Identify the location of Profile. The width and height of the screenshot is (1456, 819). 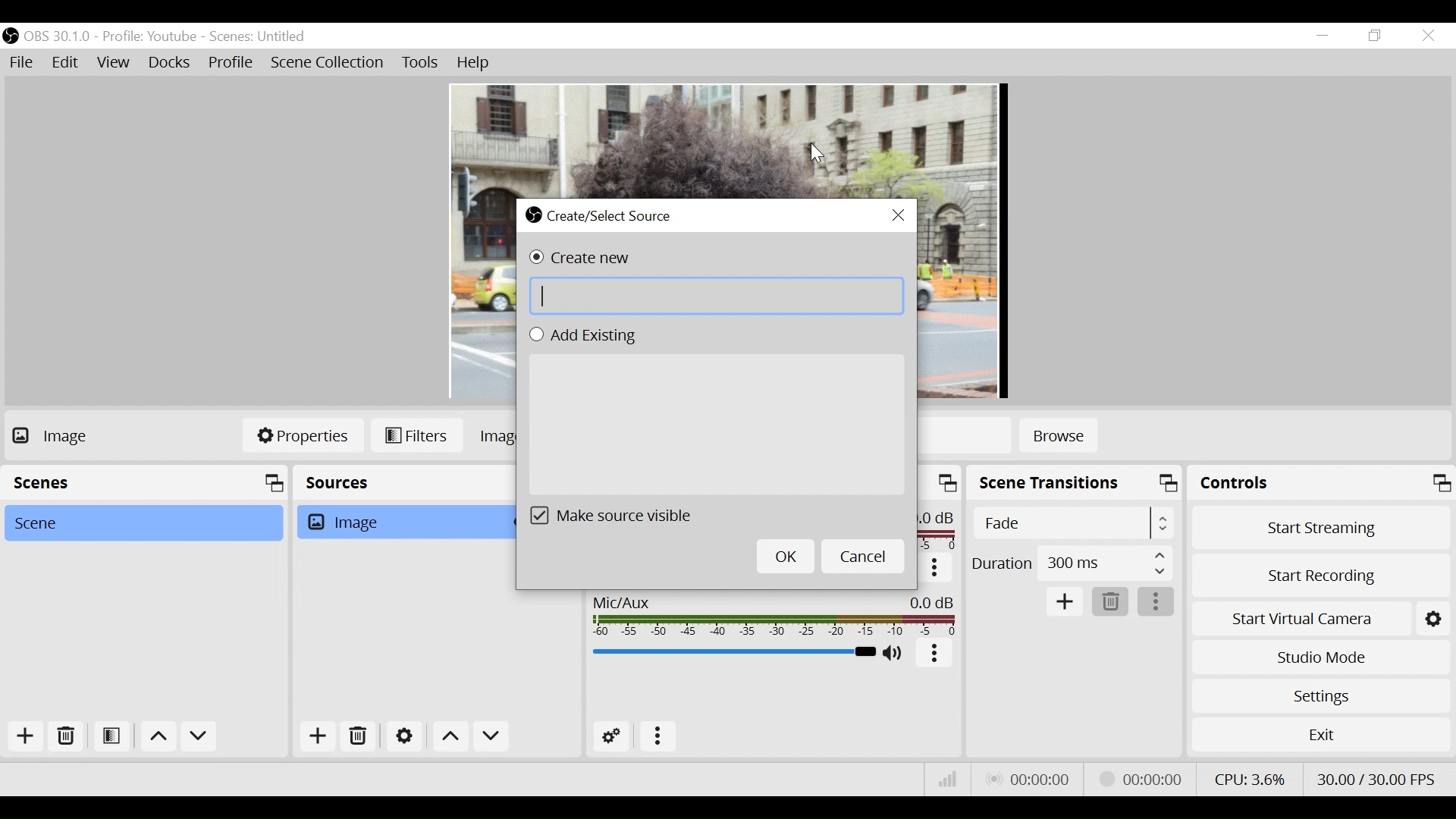
(234, 64).